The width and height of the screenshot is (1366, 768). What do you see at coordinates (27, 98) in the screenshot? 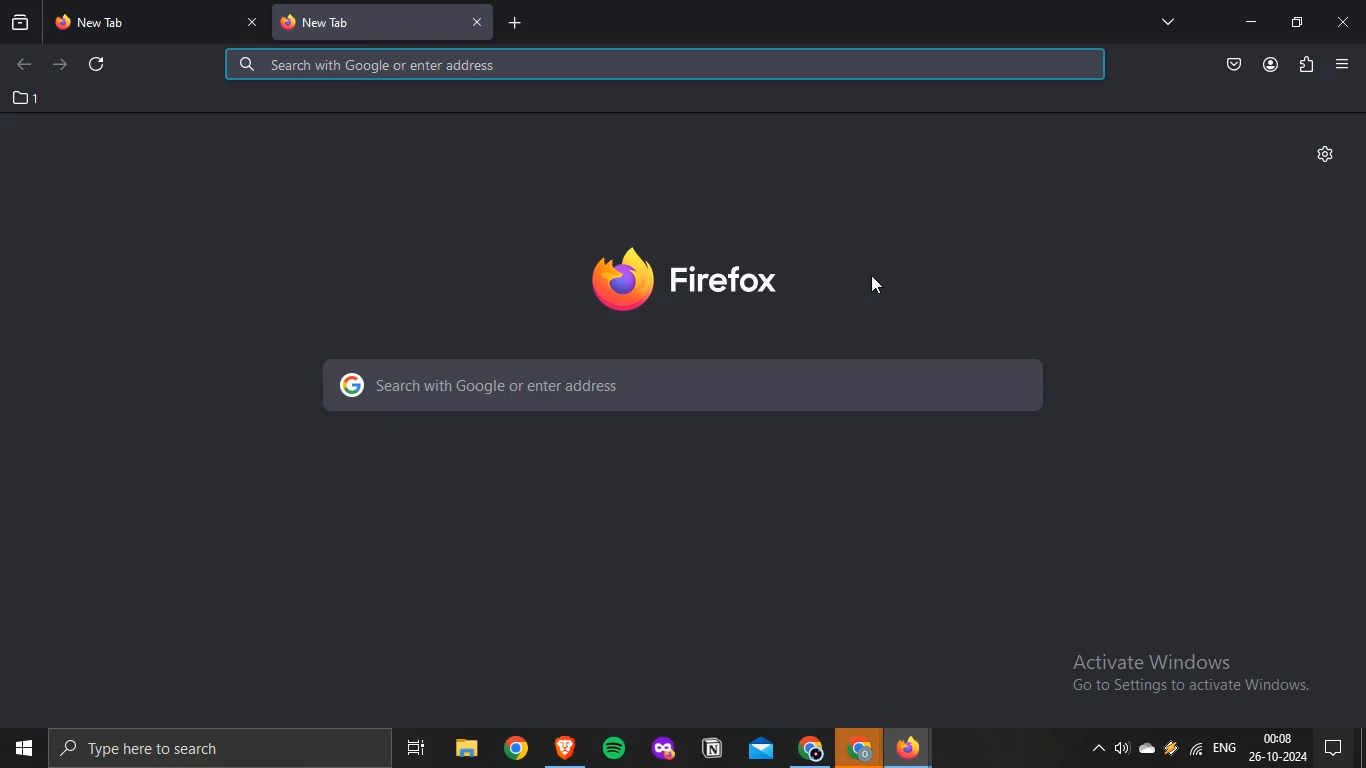
I see `1` at bounding box center [27, 98].